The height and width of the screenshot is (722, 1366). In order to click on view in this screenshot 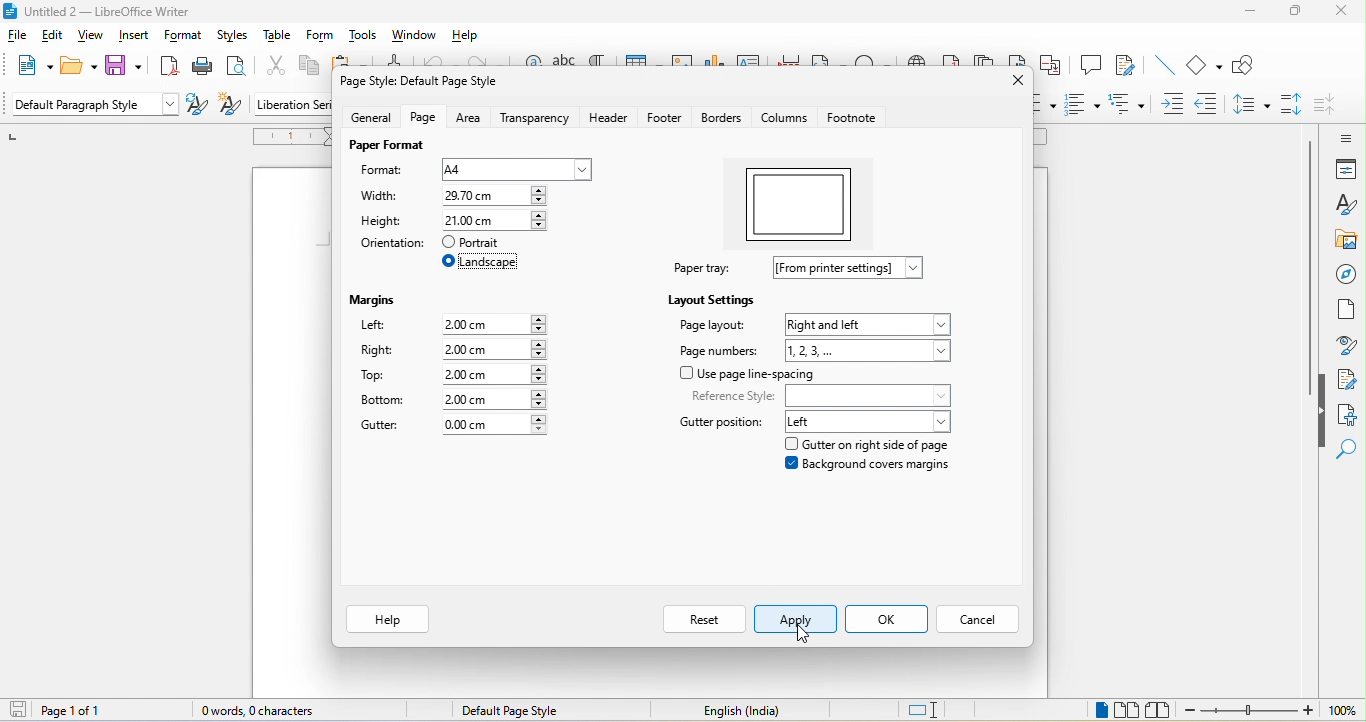, I will do `click(93, 38)`.